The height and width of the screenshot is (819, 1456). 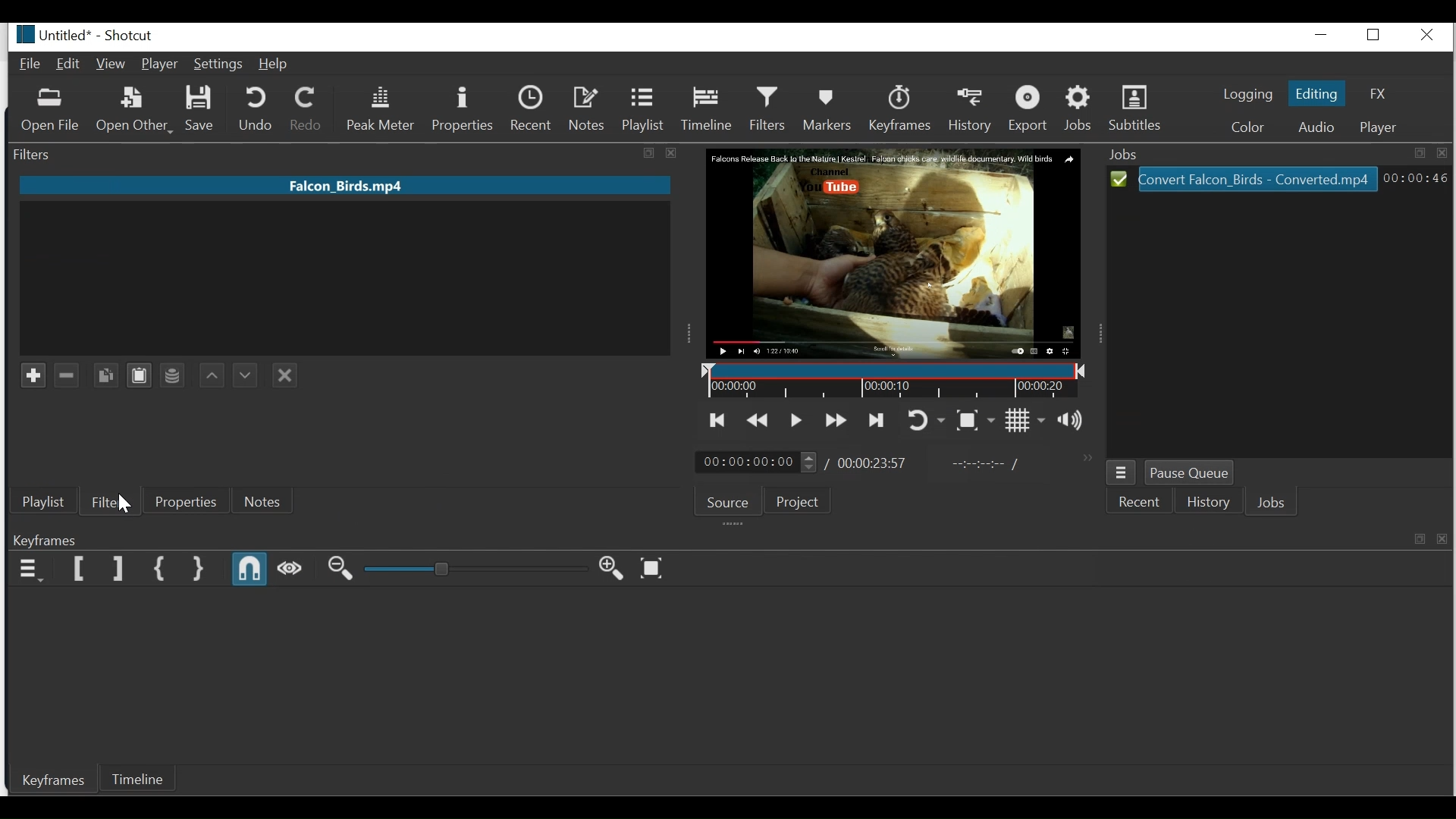 I want to click on Pause Queue, so click(x=1189, y=472).